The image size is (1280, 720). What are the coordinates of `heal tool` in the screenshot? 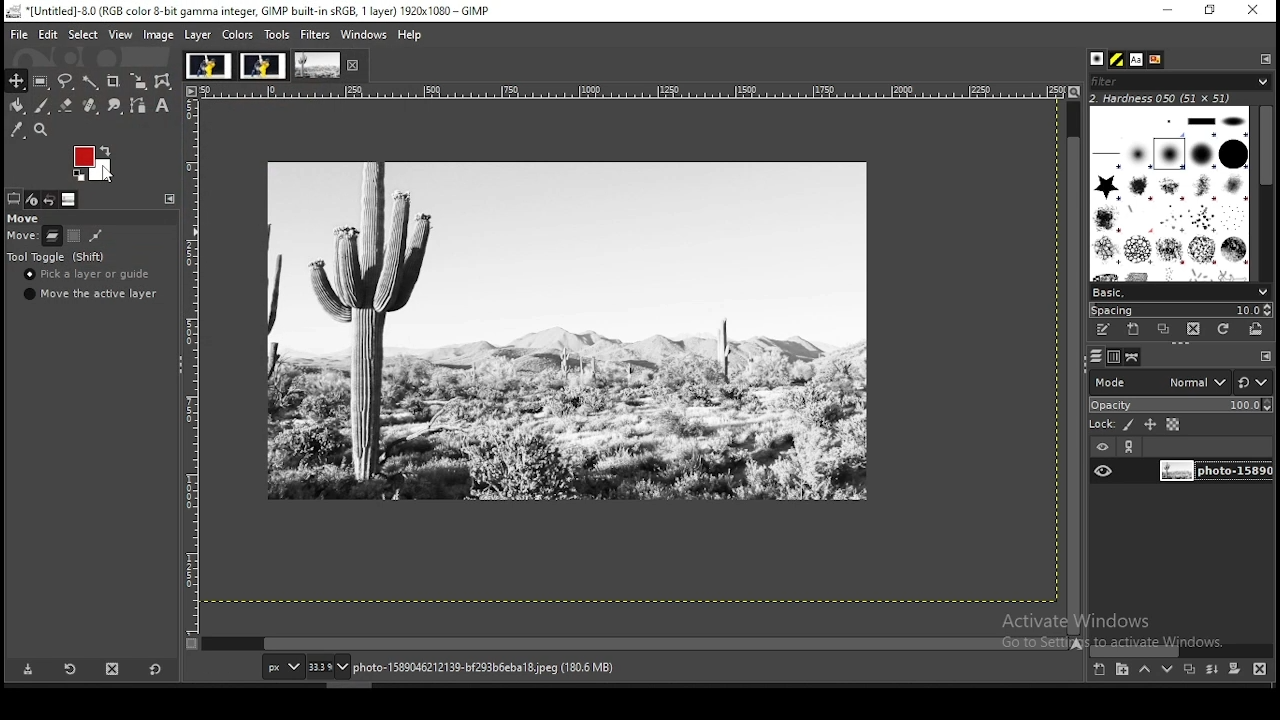 It's located at (93, 105).